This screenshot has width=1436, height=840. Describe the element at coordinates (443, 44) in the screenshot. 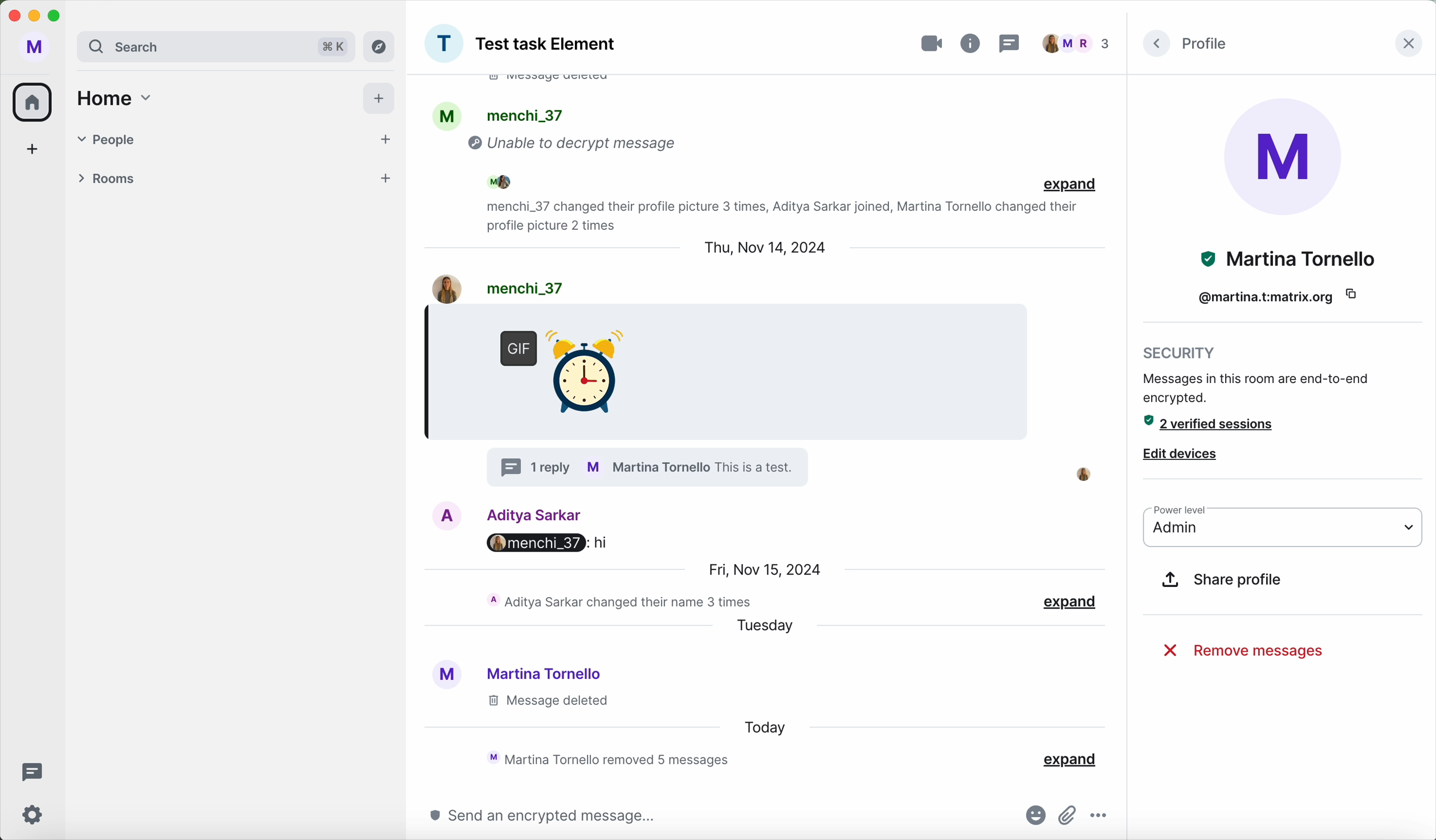

I see `profile picture` at that location.